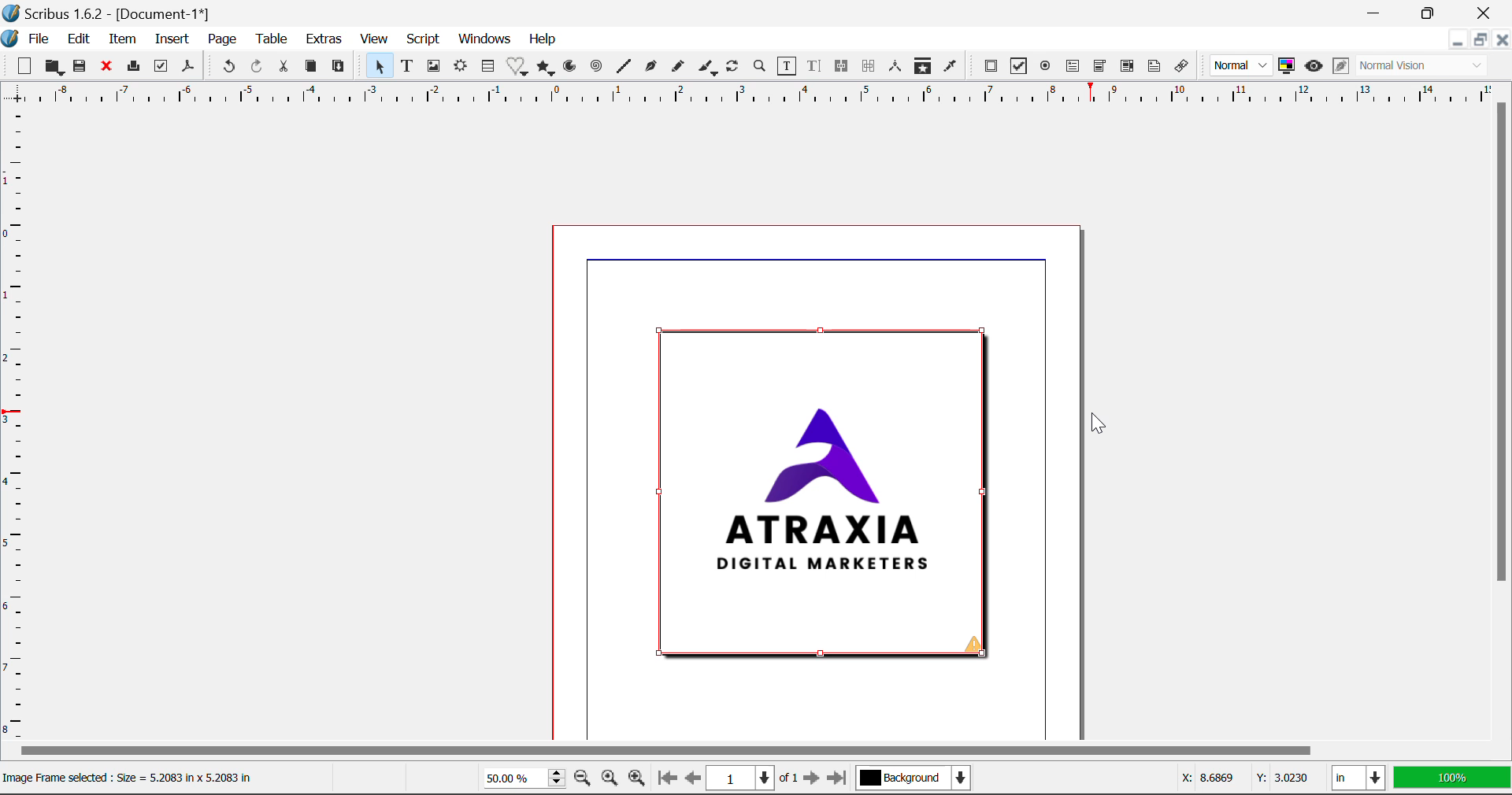  I want to click on Table, so click(273, 39).